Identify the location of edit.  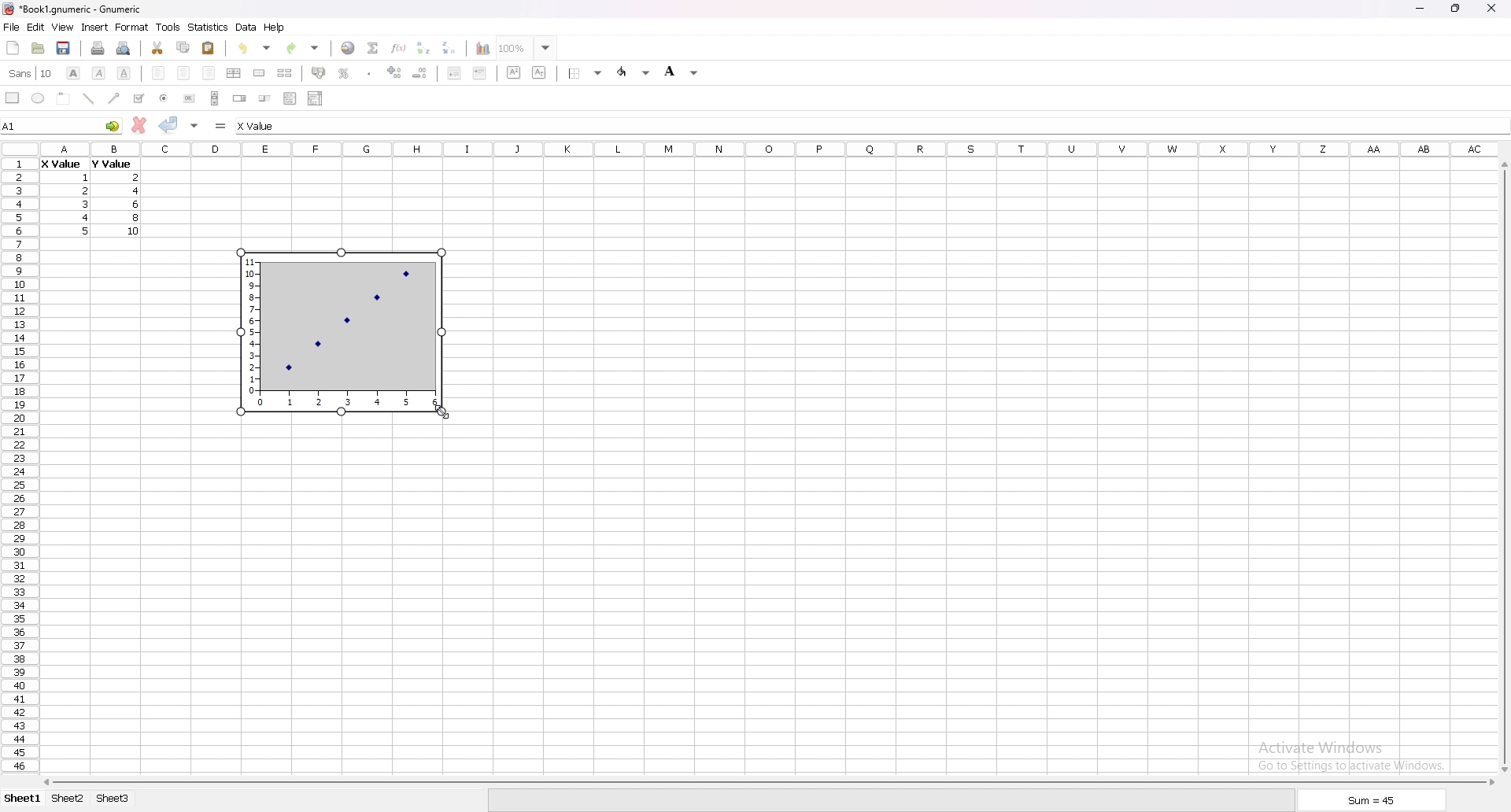
(35, 27).